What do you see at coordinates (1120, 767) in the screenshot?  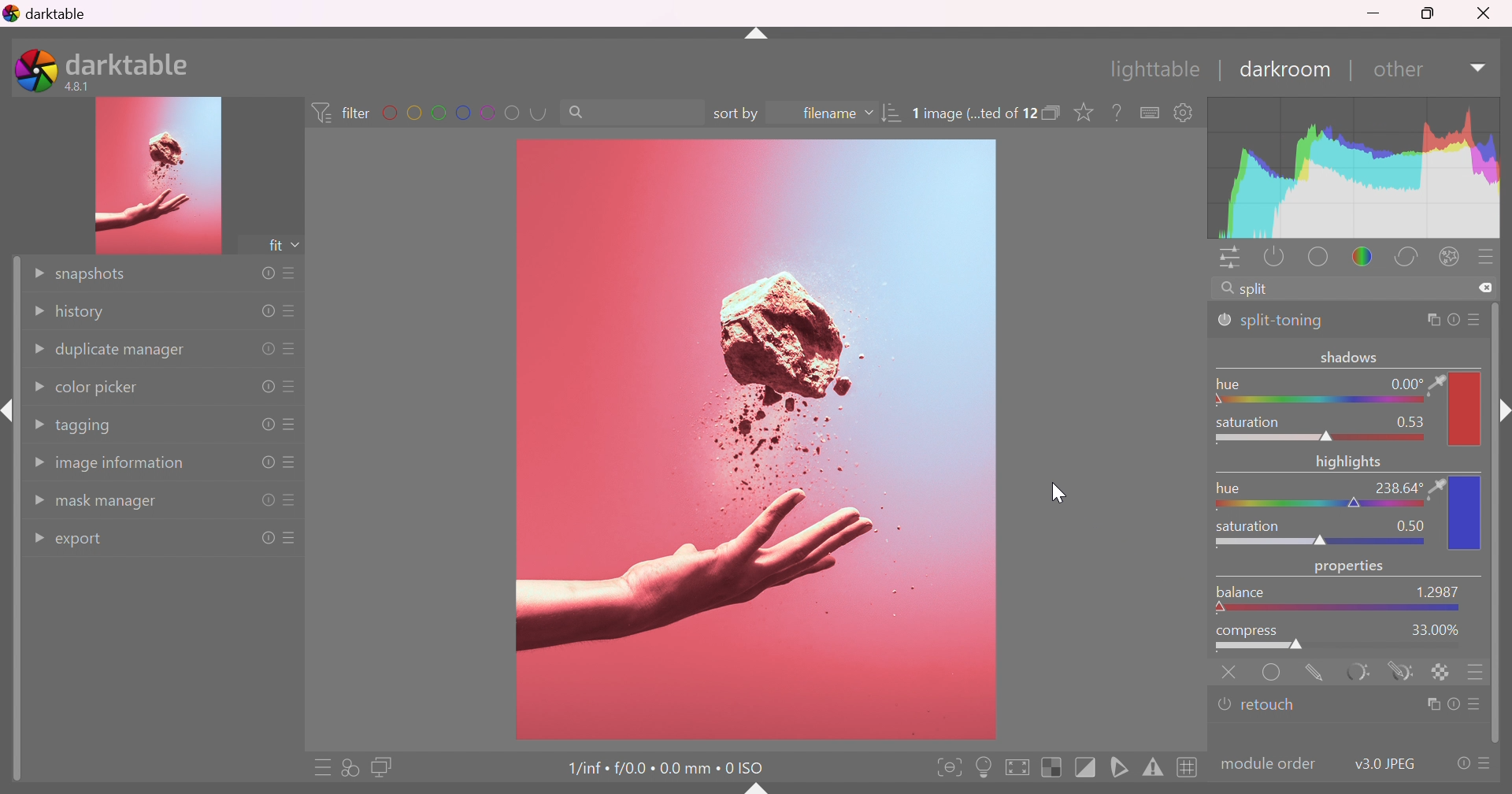 I see `toggle softproofing` at bounding box center [1120, 767].